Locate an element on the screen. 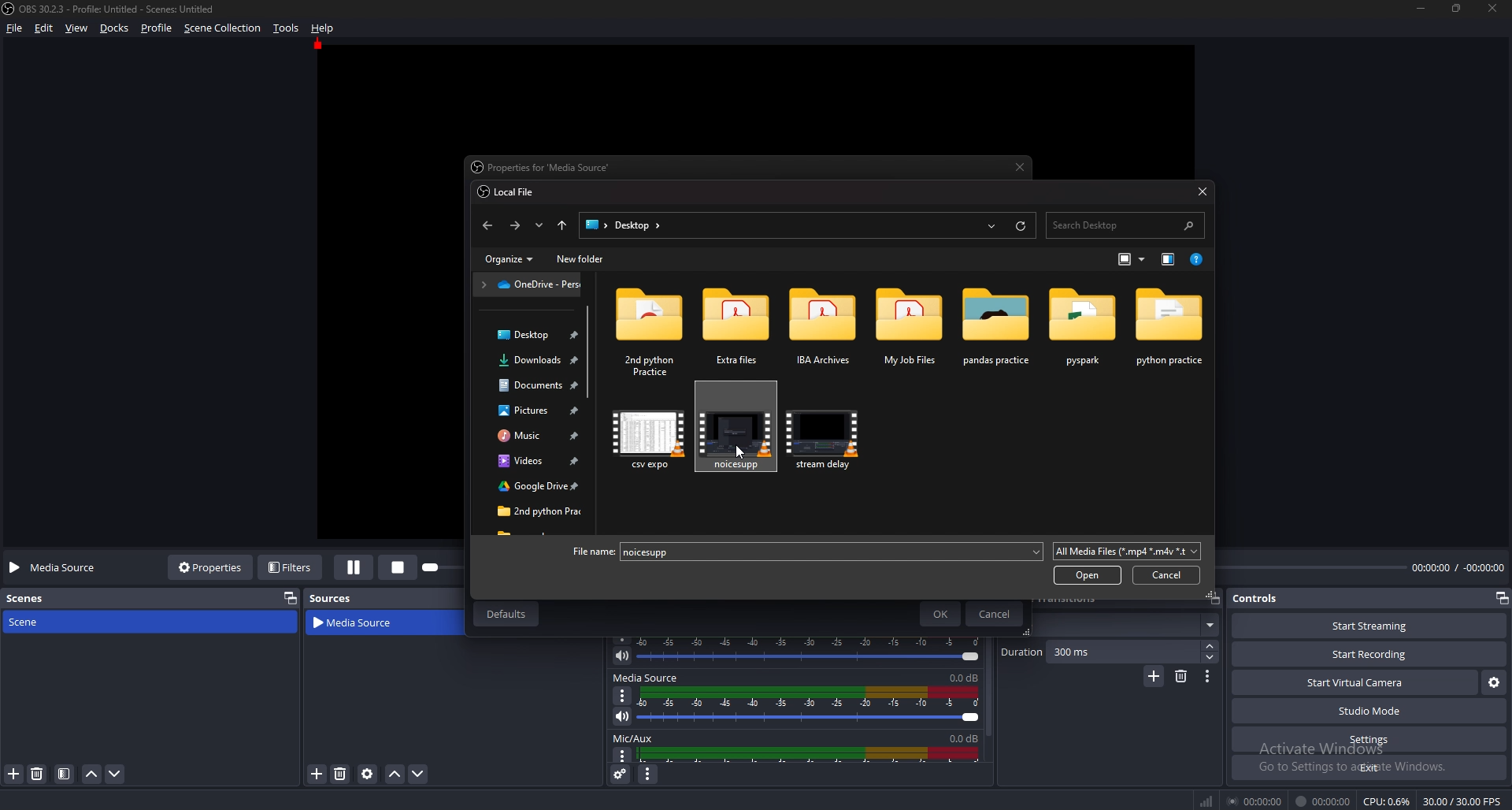 The image size is (1512, 810). scenes is located at coordinates (33, 597).